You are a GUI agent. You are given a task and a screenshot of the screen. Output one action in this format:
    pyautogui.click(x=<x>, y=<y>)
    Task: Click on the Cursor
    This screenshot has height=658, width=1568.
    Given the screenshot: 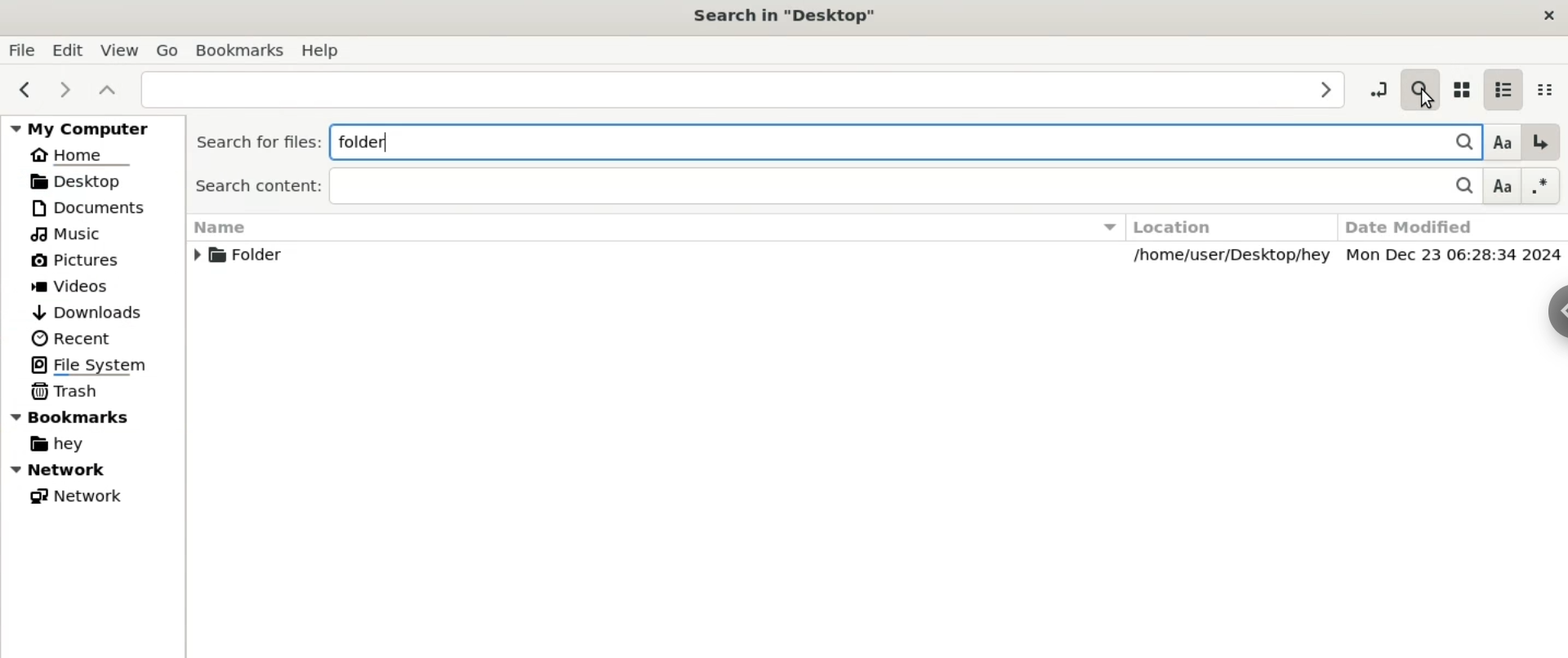 What is the action you would take?
    pyautogui.click(x=1423, y=102)
    